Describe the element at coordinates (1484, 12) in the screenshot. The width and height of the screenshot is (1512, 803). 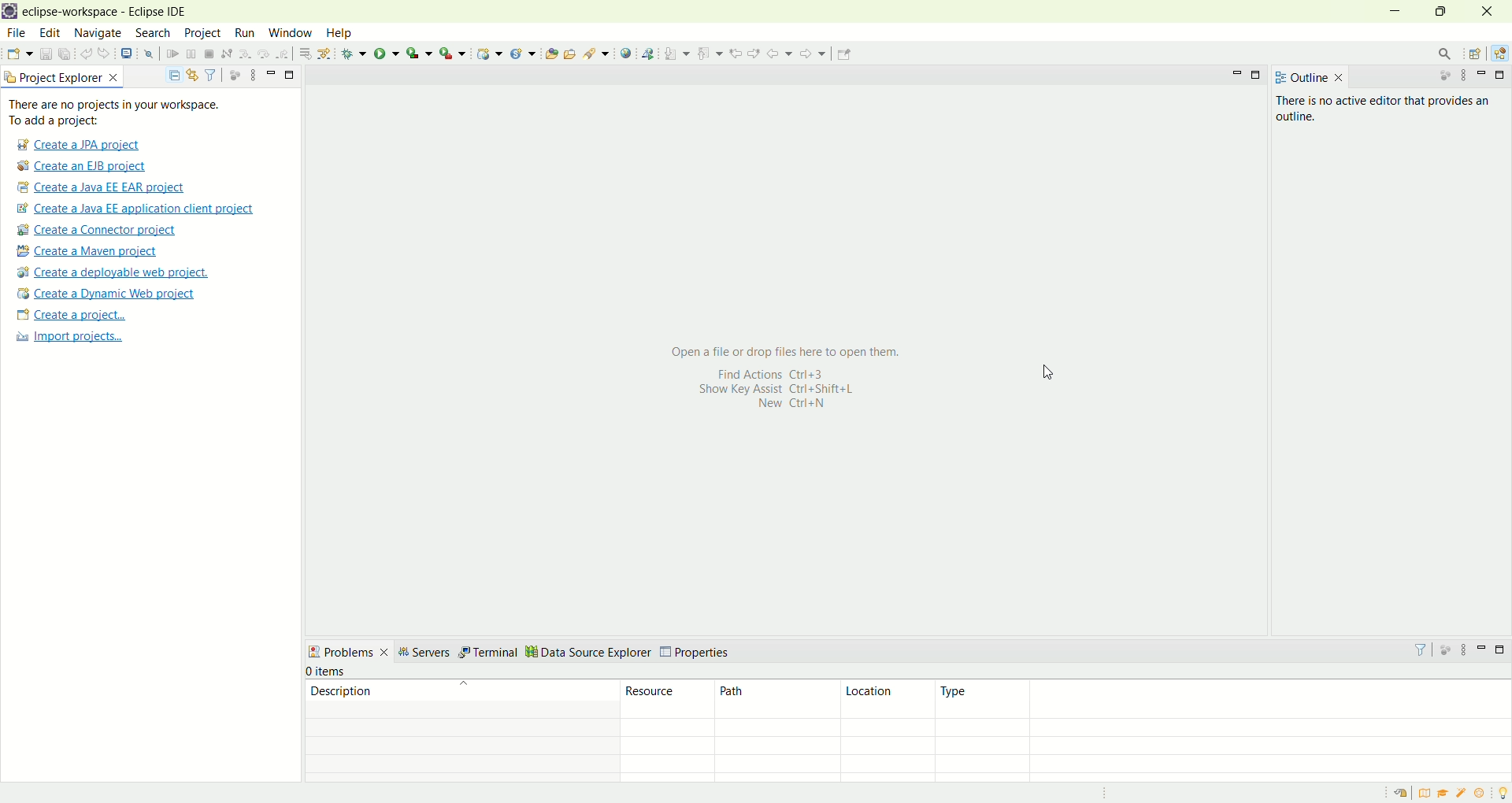
I see `close` at that location.